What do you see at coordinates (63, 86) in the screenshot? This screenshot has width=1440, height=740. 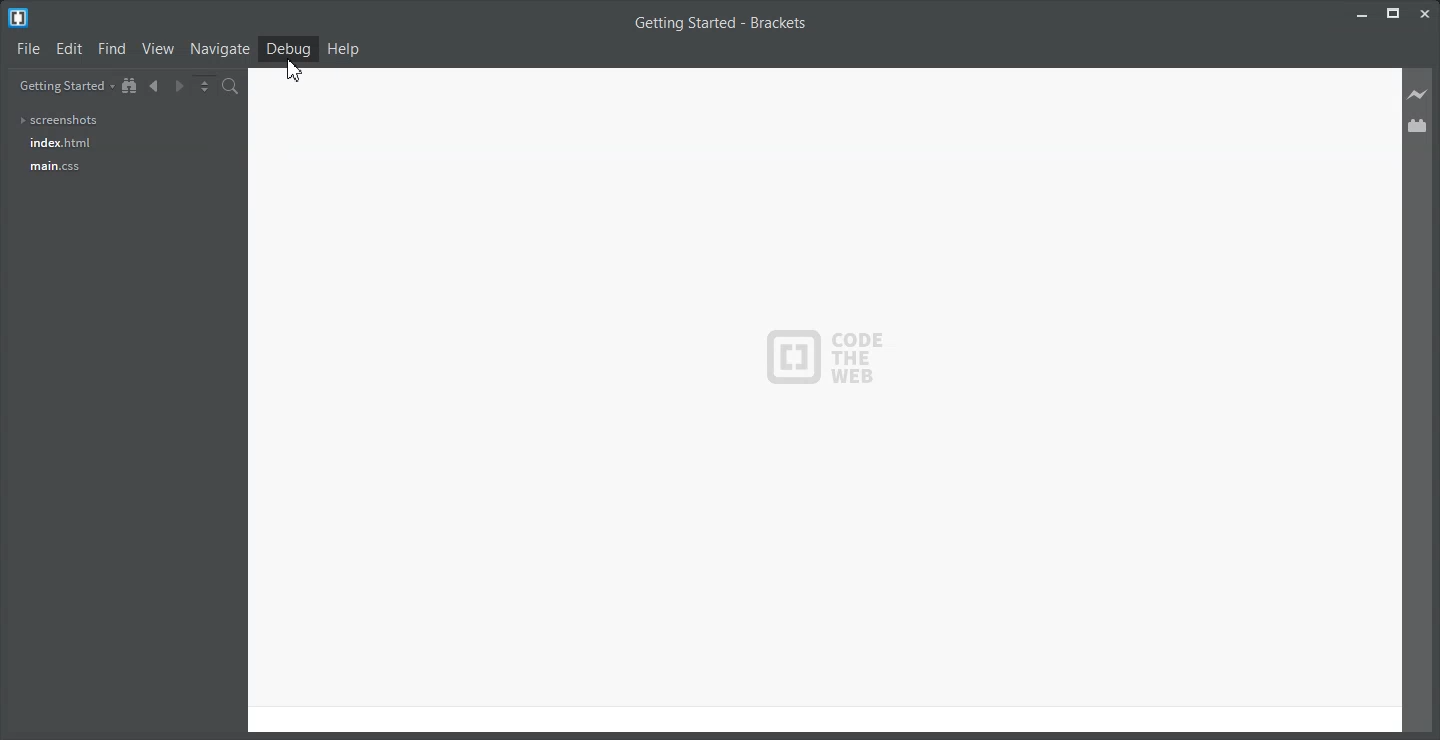 I see `Getting Started` at bounding box center [63, 86].